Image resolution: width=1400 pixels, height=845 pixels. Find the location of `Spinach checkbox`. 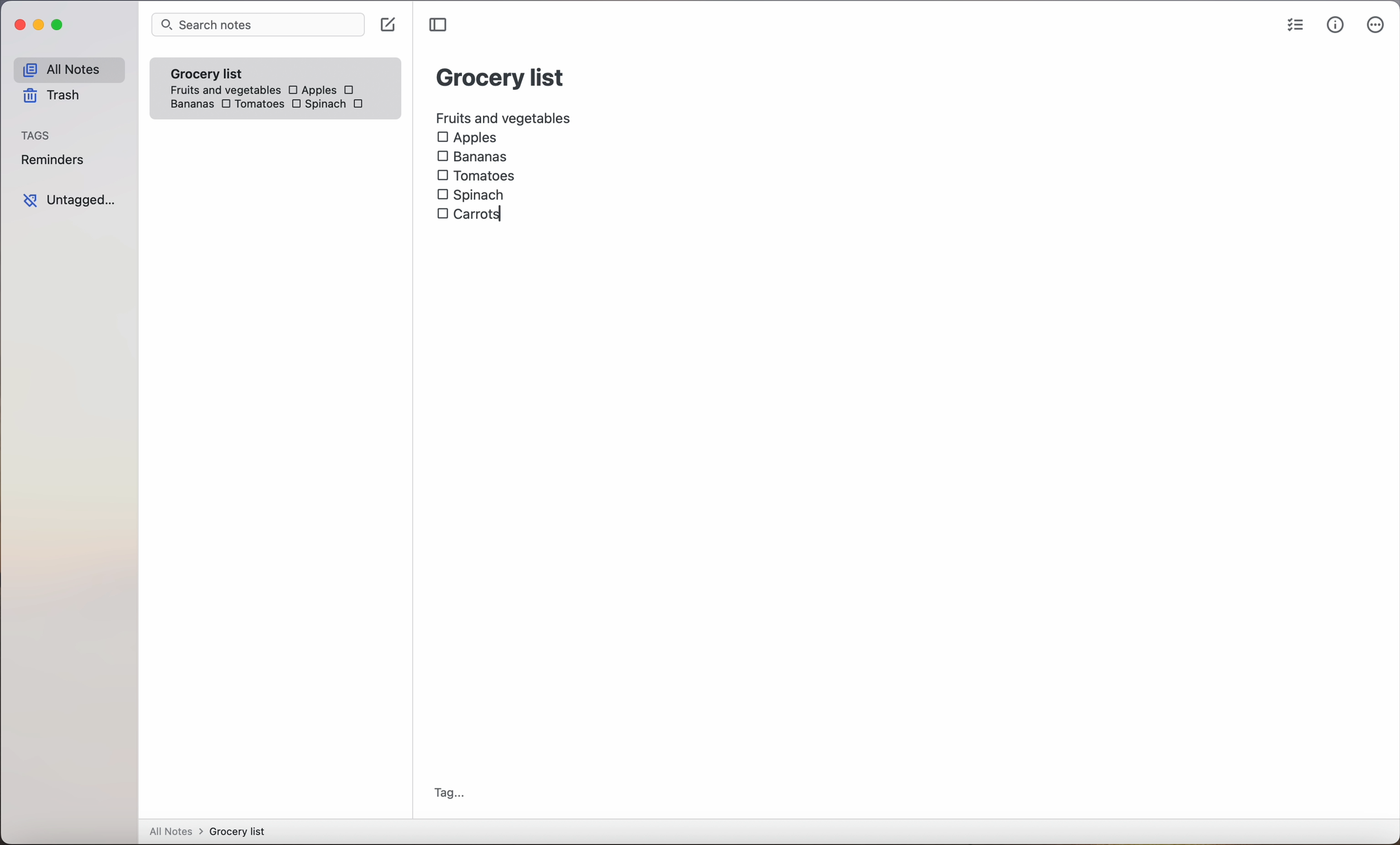

Spinach checkbox is located at coordinates (472, 195).